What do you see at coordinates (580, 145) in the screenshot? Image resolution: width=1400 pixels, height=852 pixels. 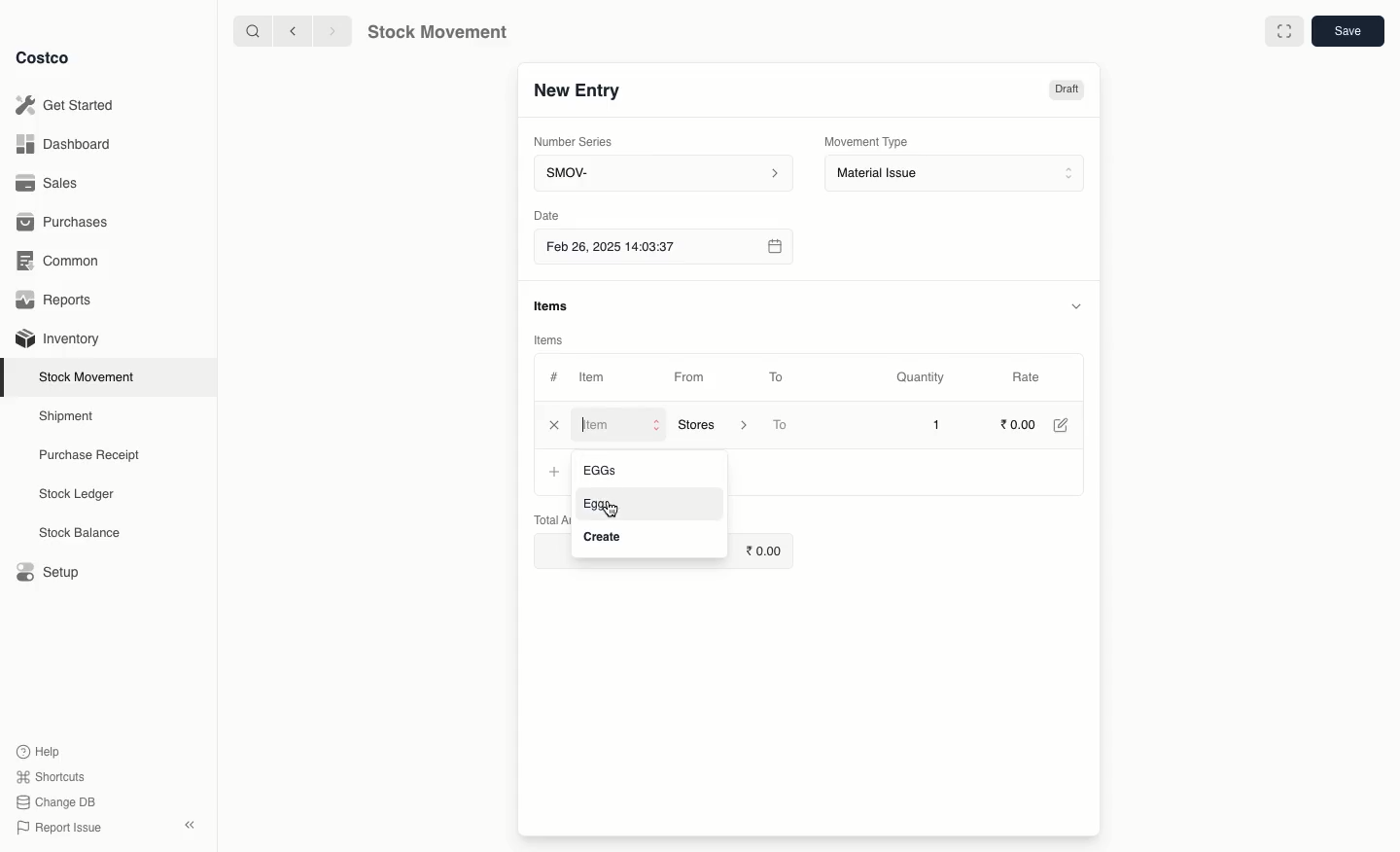 I see `Number Series` at bounding box center [580, 145].